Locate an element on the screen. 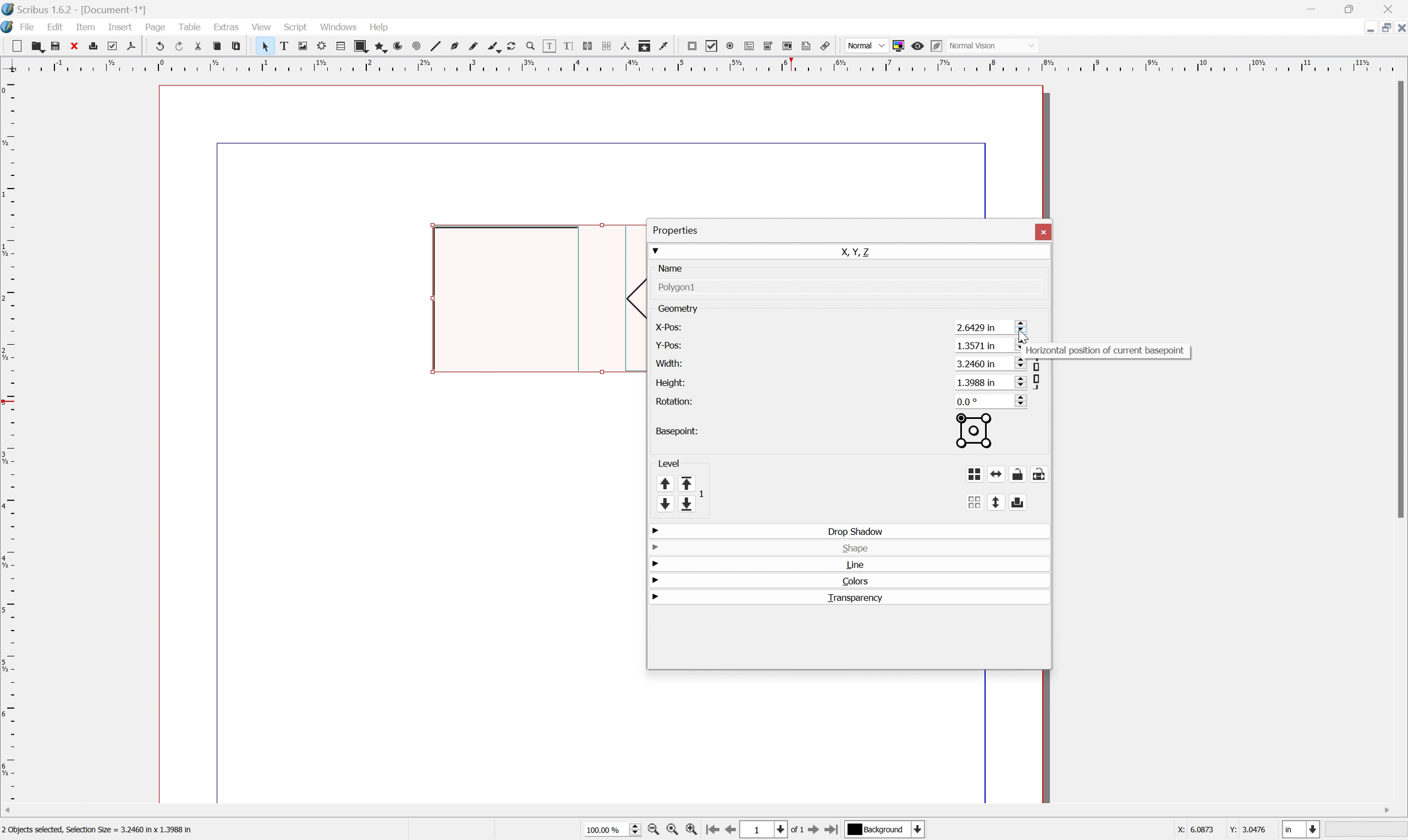 This screenshot has width=1408, height=840. Toggle color management system is located at coordinates (900, 46).